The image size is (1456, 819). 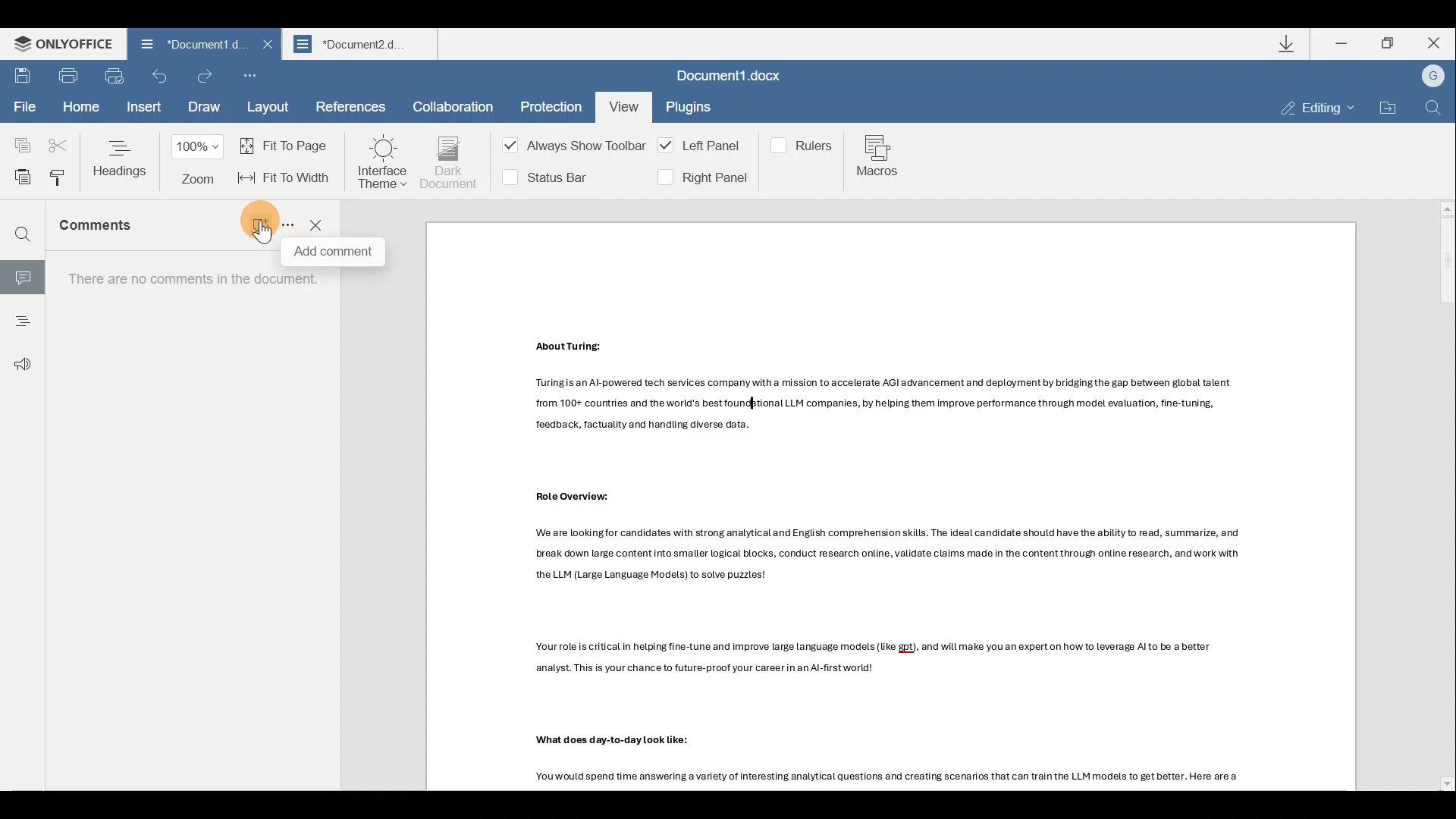 I want to click on Status bar, so click(x=551, y=176).